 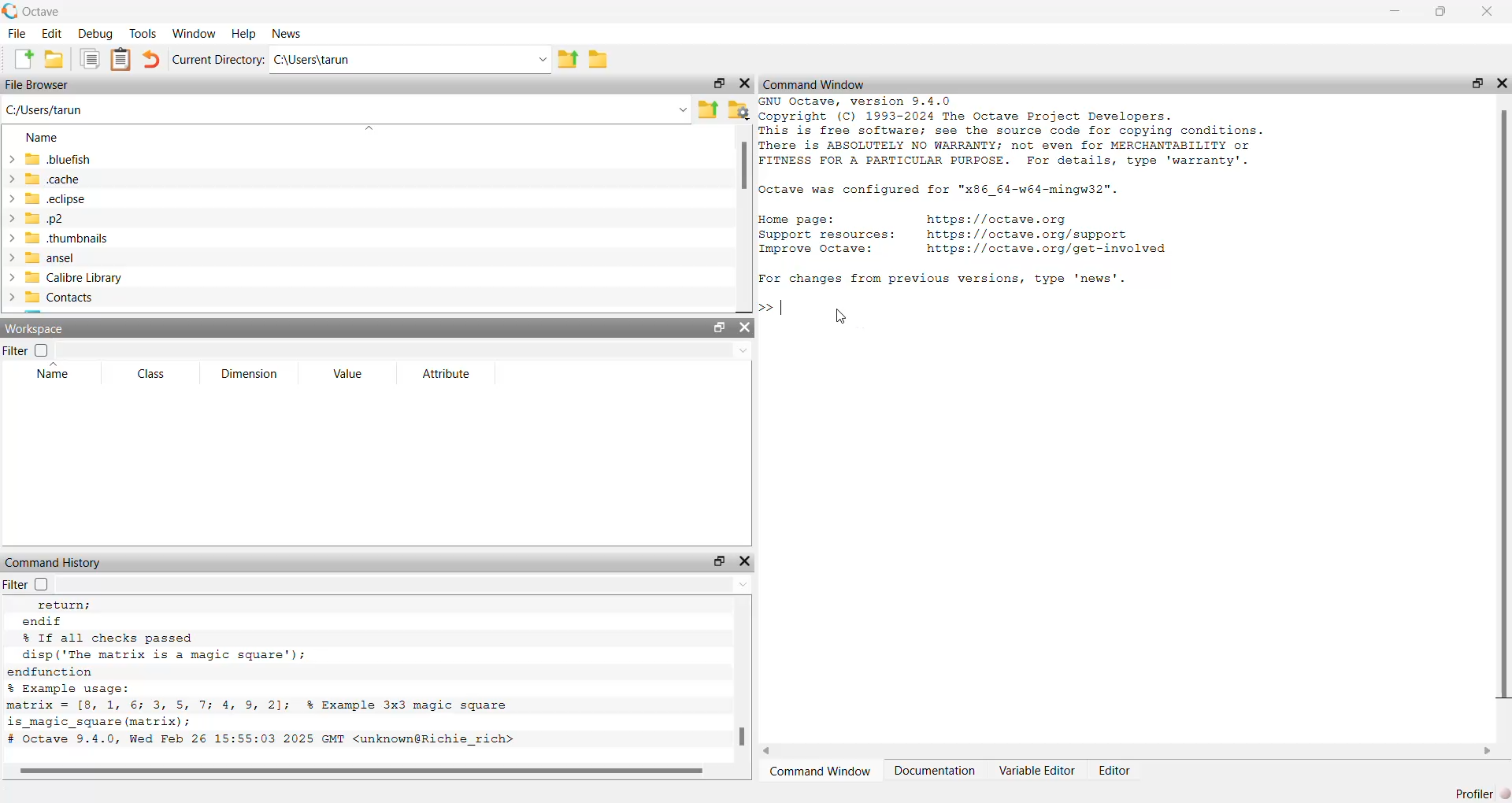 I want to click on close, so click(x=1488, y=11).